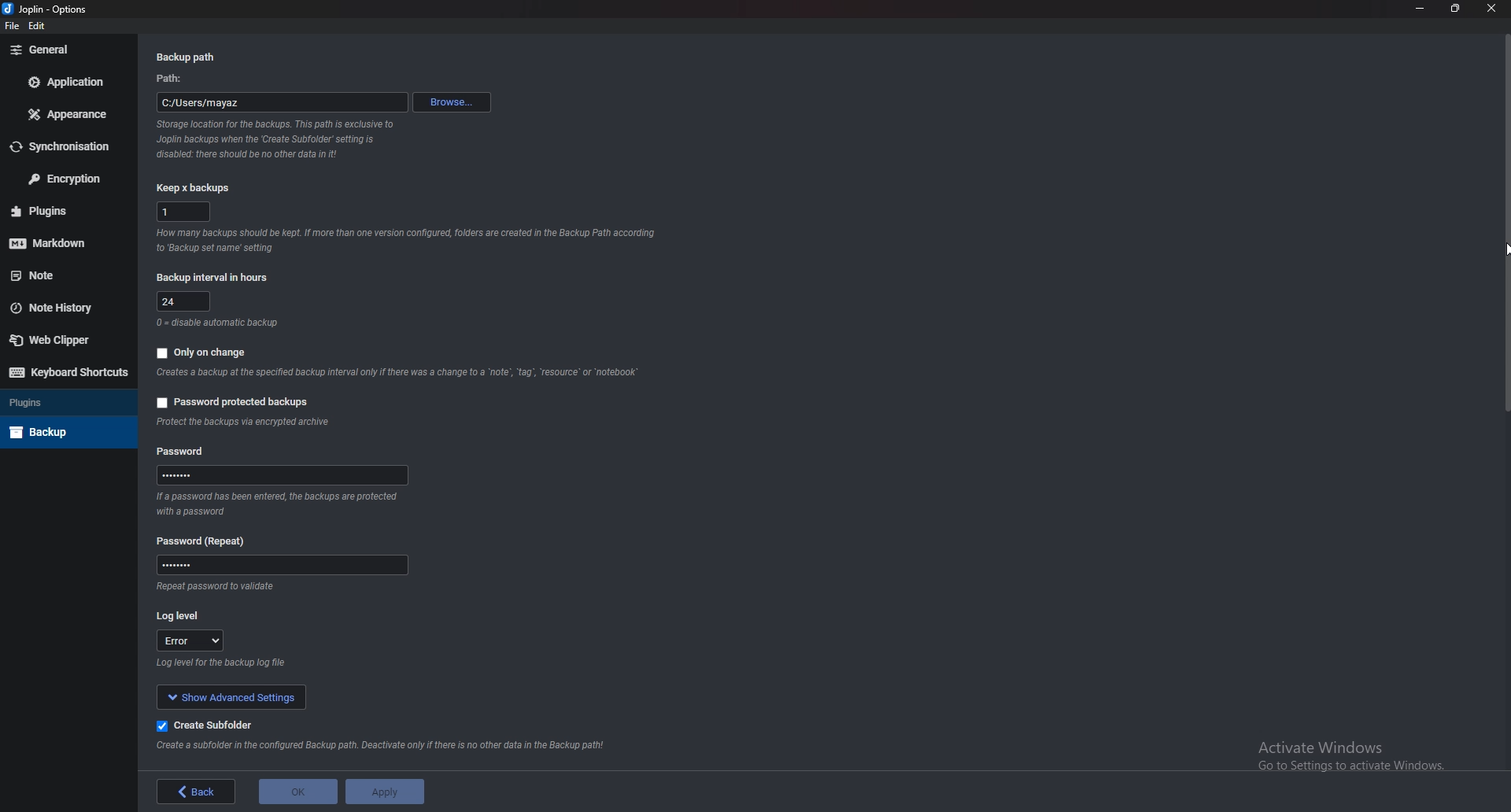  I want to click on Info, so click(387, 750).